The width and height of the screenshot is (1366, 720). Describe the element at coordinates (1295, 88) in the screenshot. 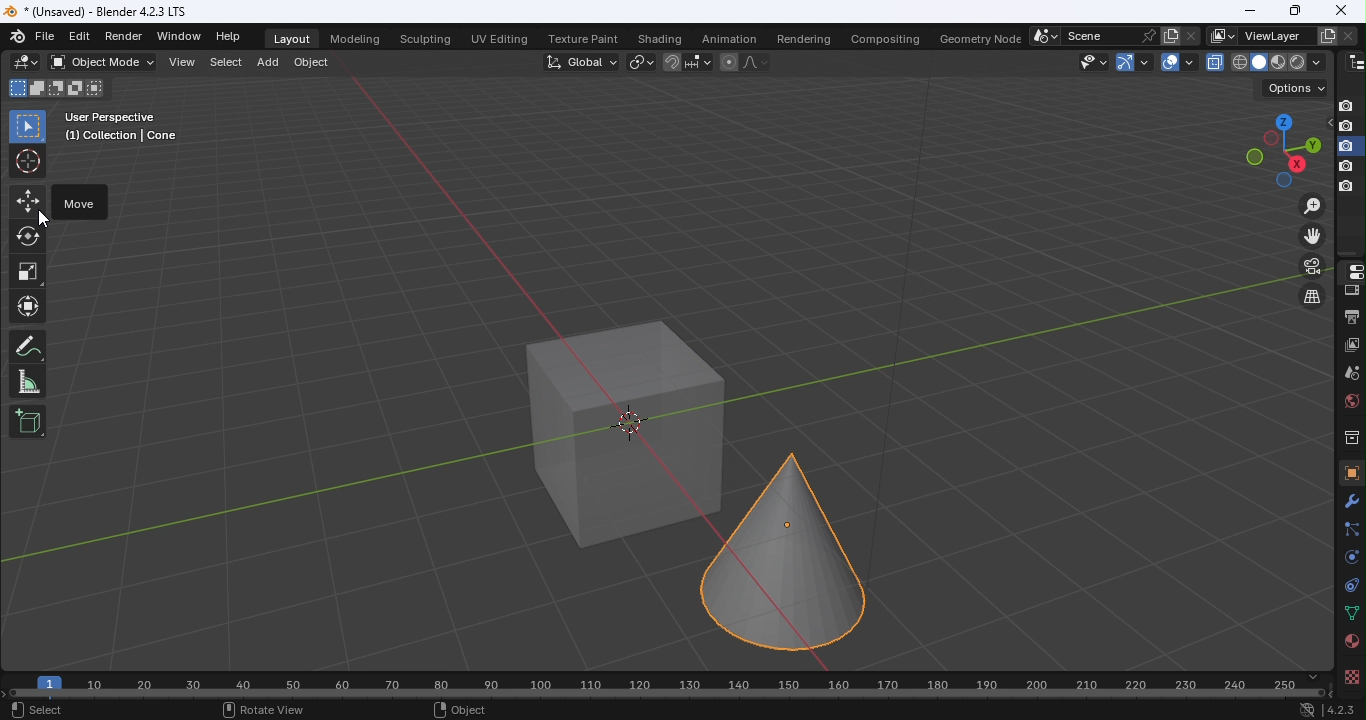

I see `Drop down menu` at that location.